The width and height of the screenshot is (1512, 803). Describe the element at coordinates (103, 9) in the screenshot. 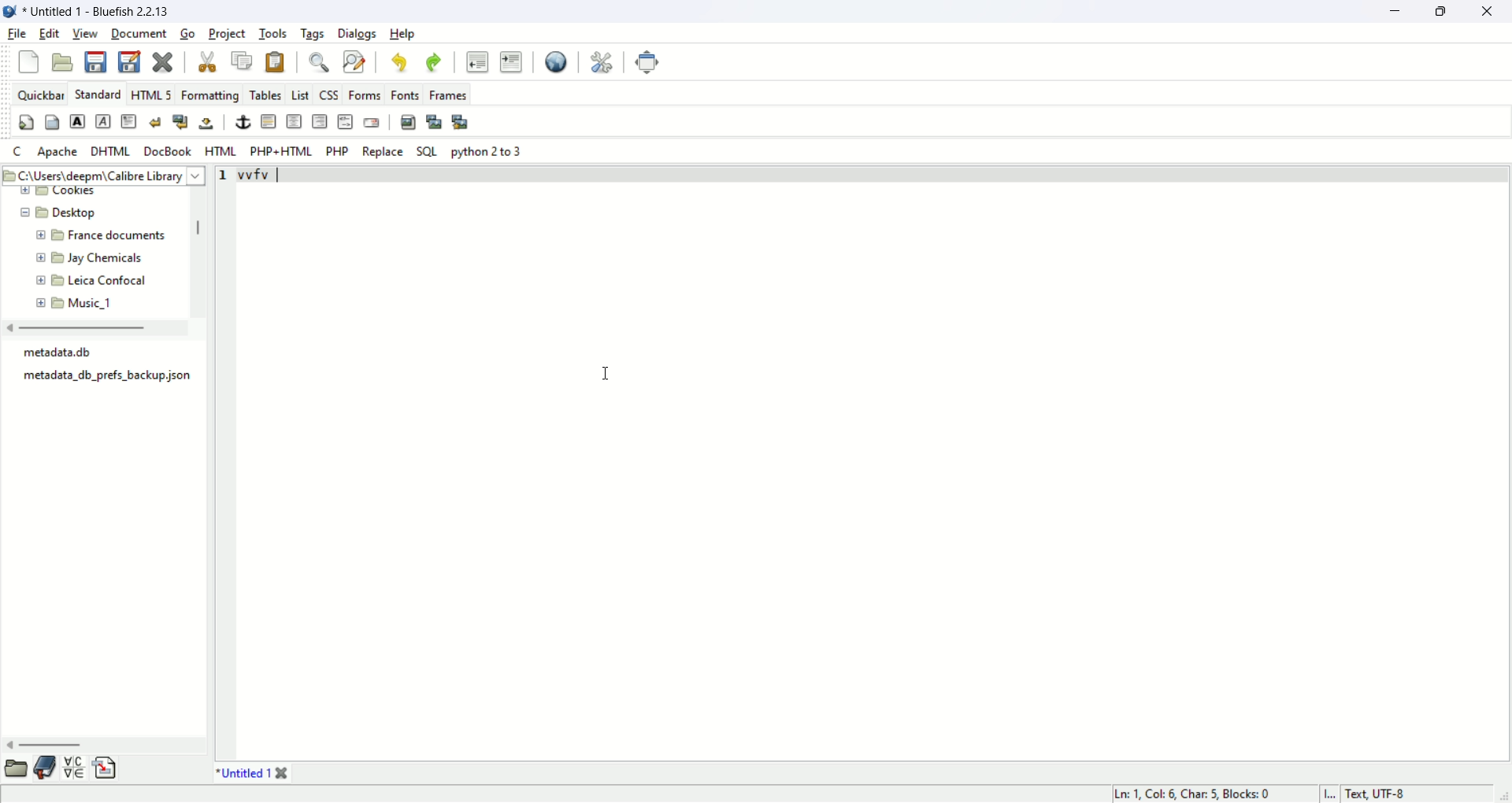

I see `Untitled 1` at that location.